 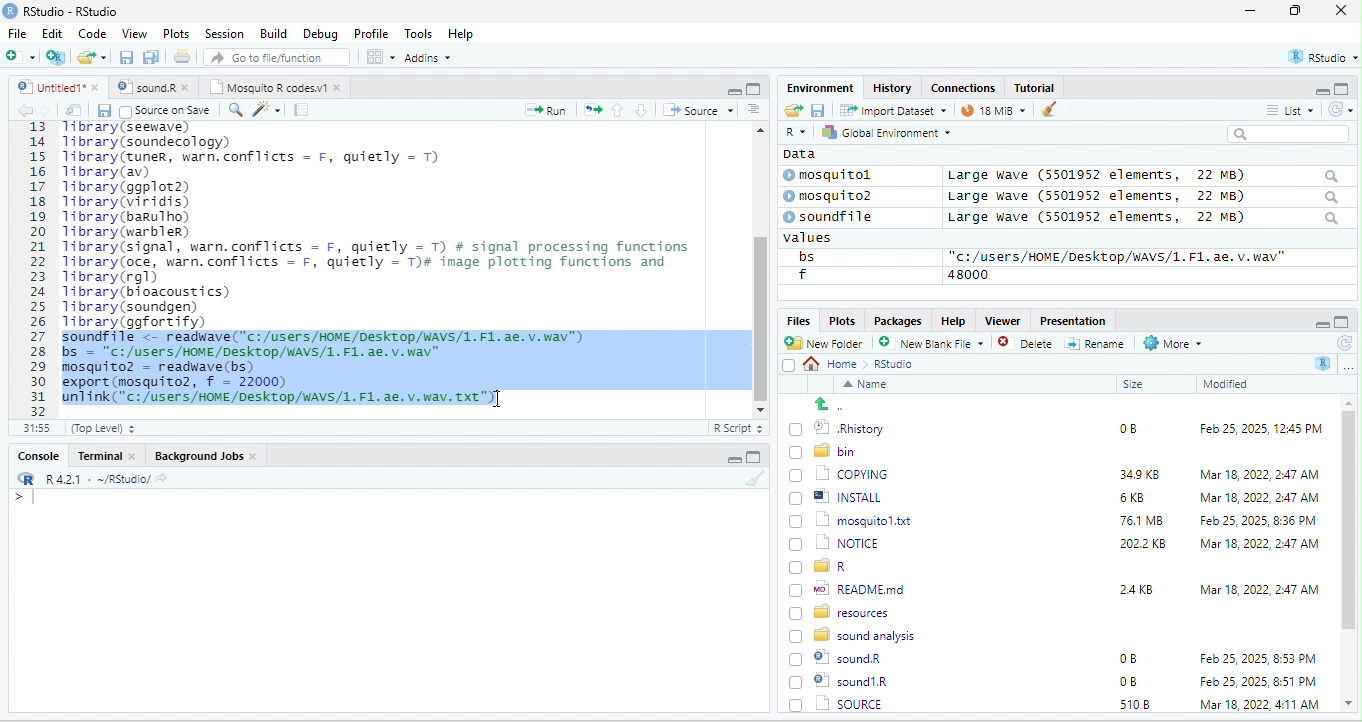 What do you see at coordinates (1314, 90) in the screenshot?
I see `minimize` at bounding box center [1314, 90].